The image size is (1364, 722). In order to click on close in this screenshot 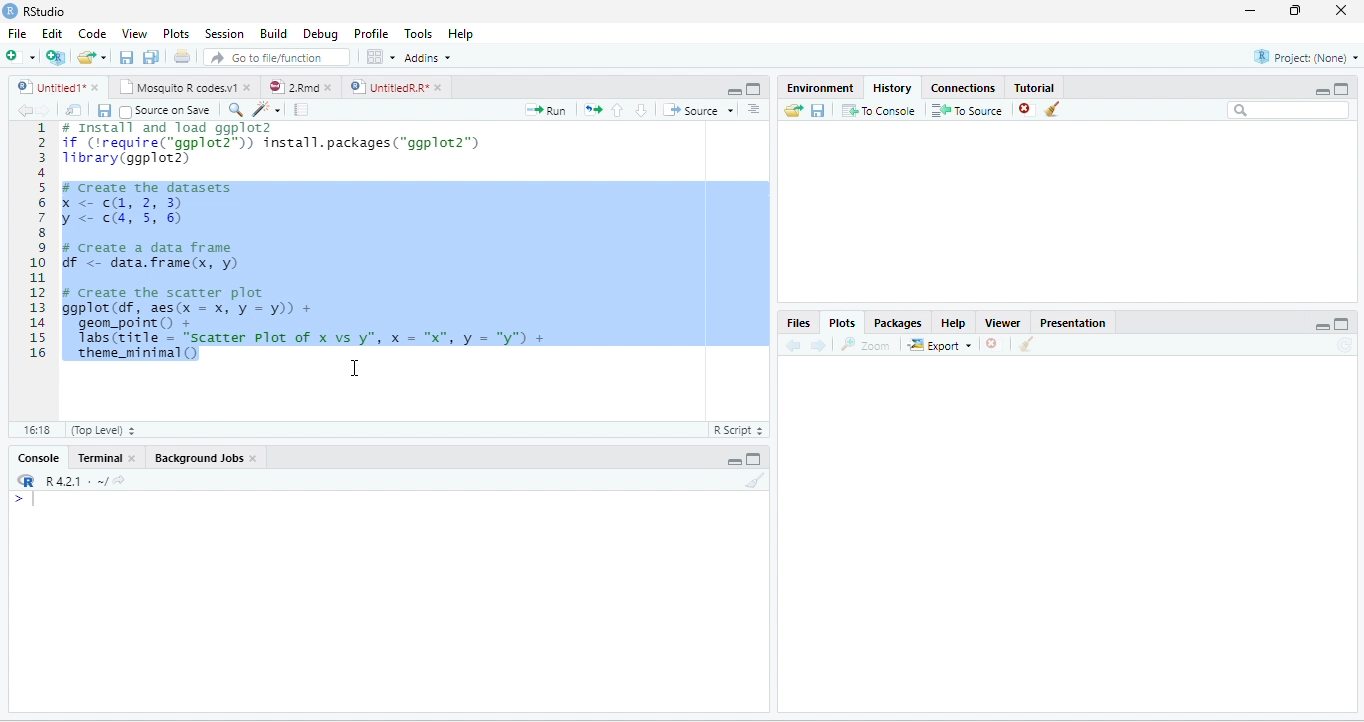, I will do `click(1340, 11)`.